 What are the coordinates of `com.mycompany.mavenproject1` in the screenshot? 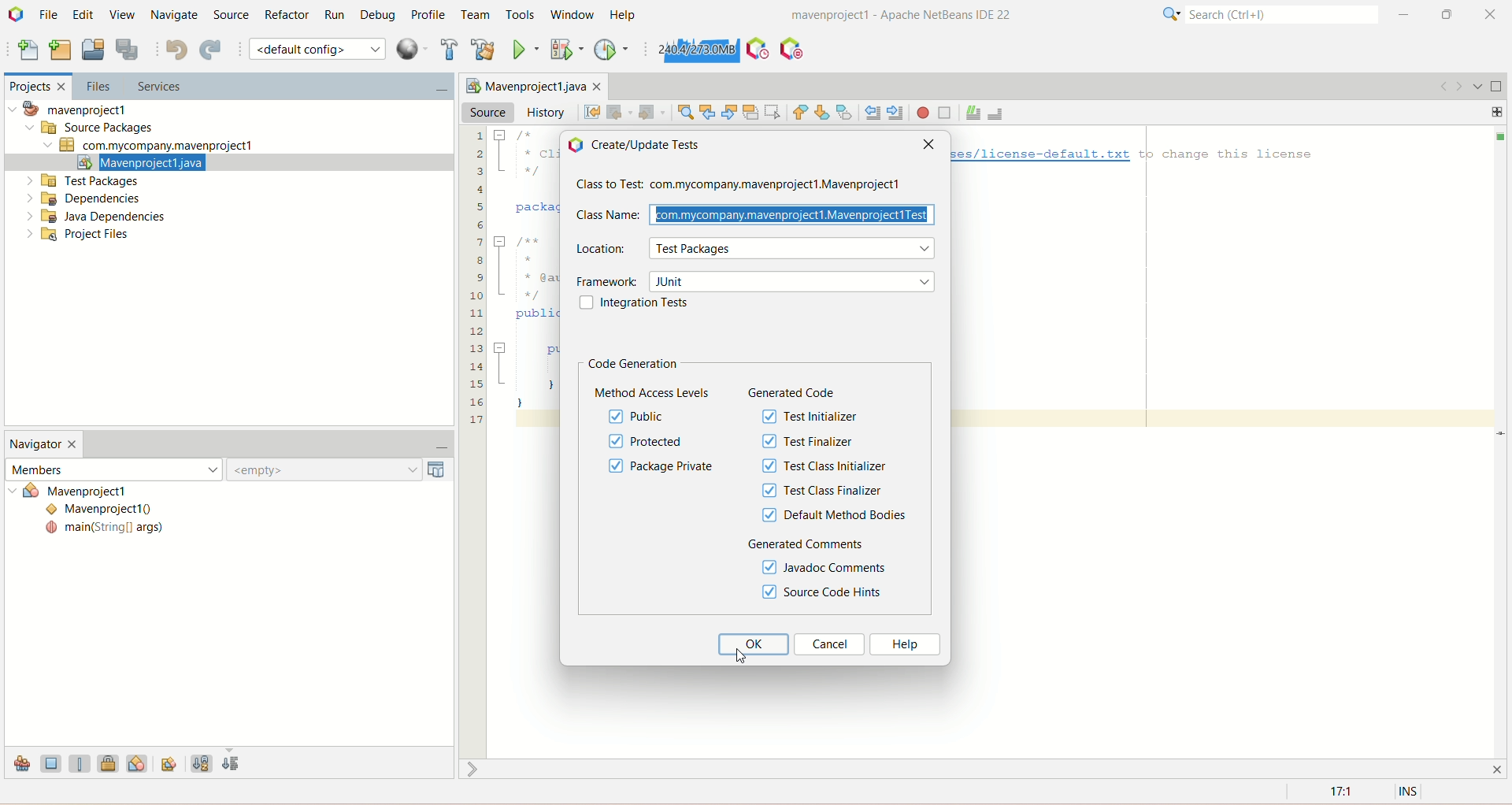 It's located at (150, 146).